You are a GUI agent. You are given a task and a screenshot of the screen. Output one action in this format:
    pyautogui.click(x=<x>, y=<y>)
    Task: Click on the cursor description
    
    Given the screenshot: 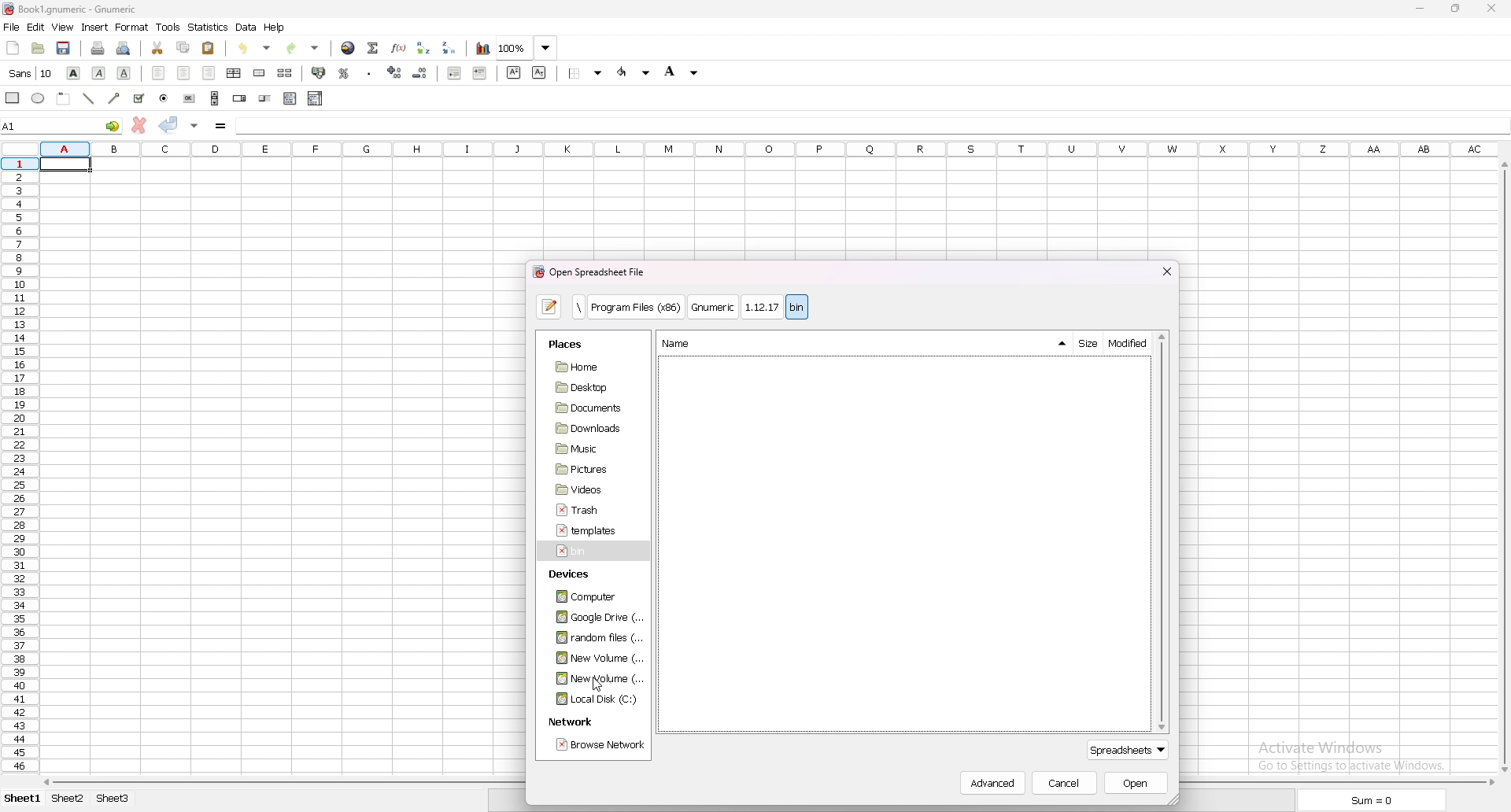 What is the action you would take?
    pyautogui.click(x=34, y=73)
    